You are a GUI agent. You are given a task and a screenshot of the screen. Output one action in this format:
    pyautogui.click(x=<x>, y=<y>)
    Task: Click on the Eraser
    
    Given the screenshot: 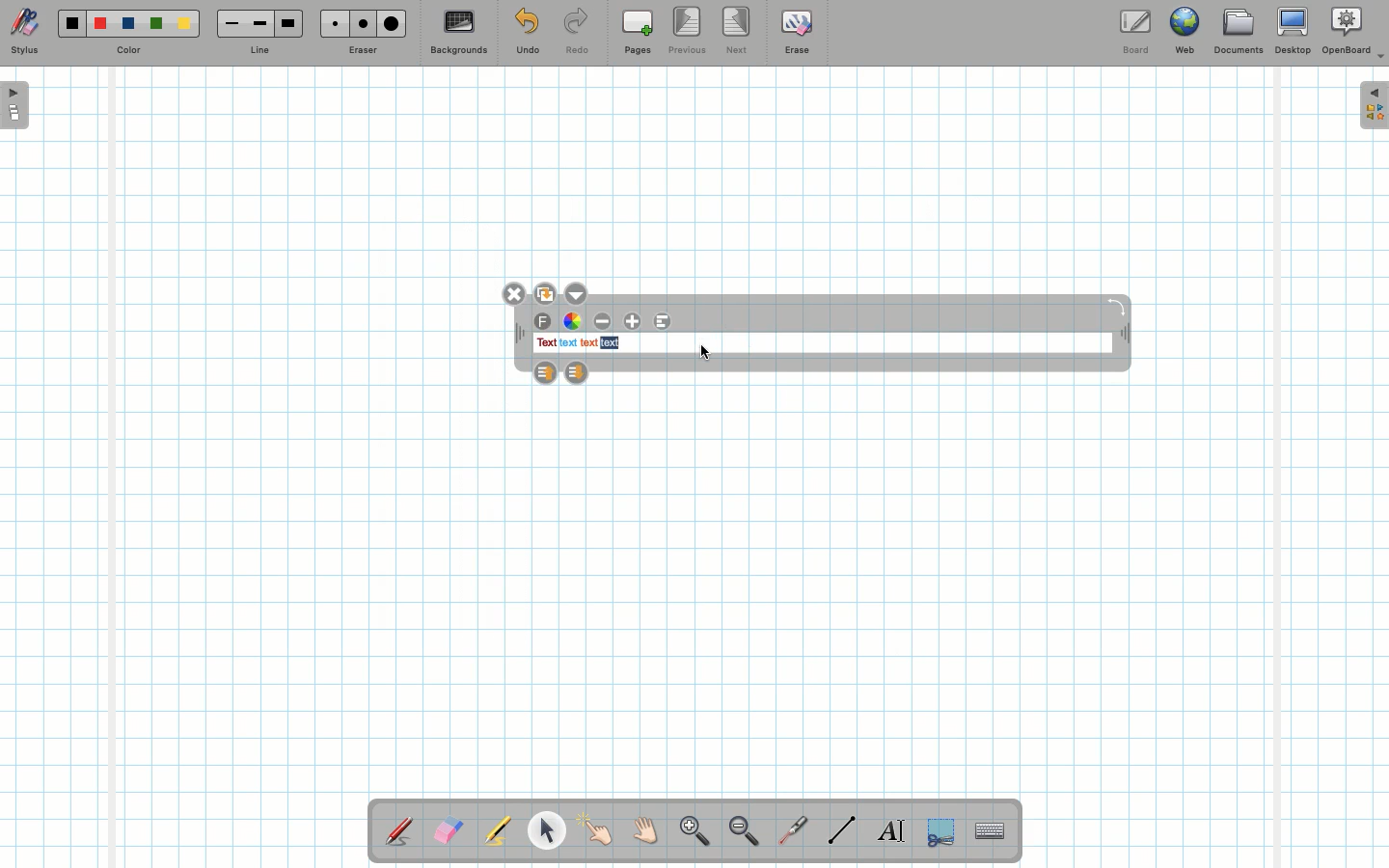 What is the action you would take?
    pyautogui.click(x=362, y=52)
    